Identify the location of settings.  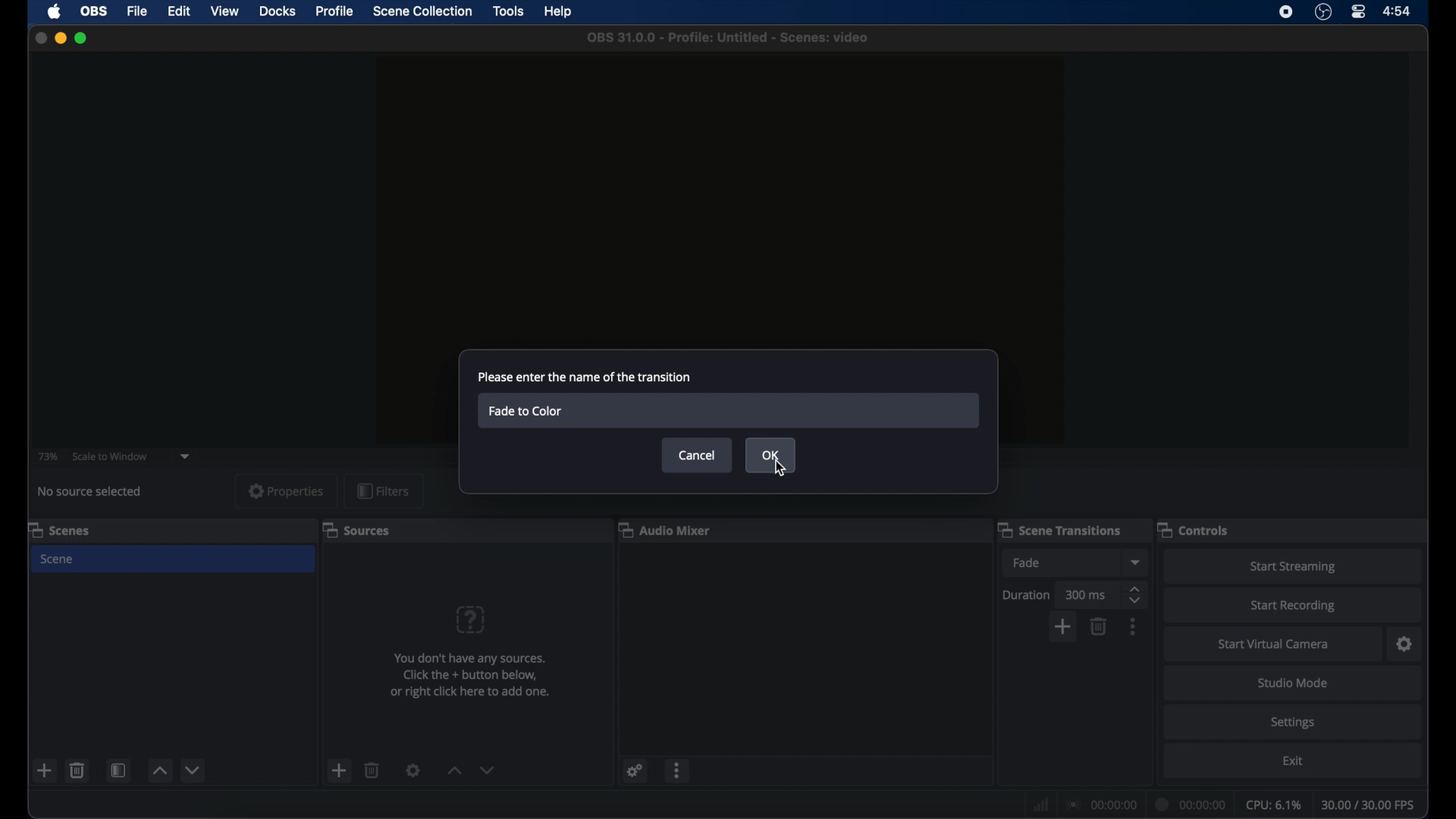
(1293, 722).